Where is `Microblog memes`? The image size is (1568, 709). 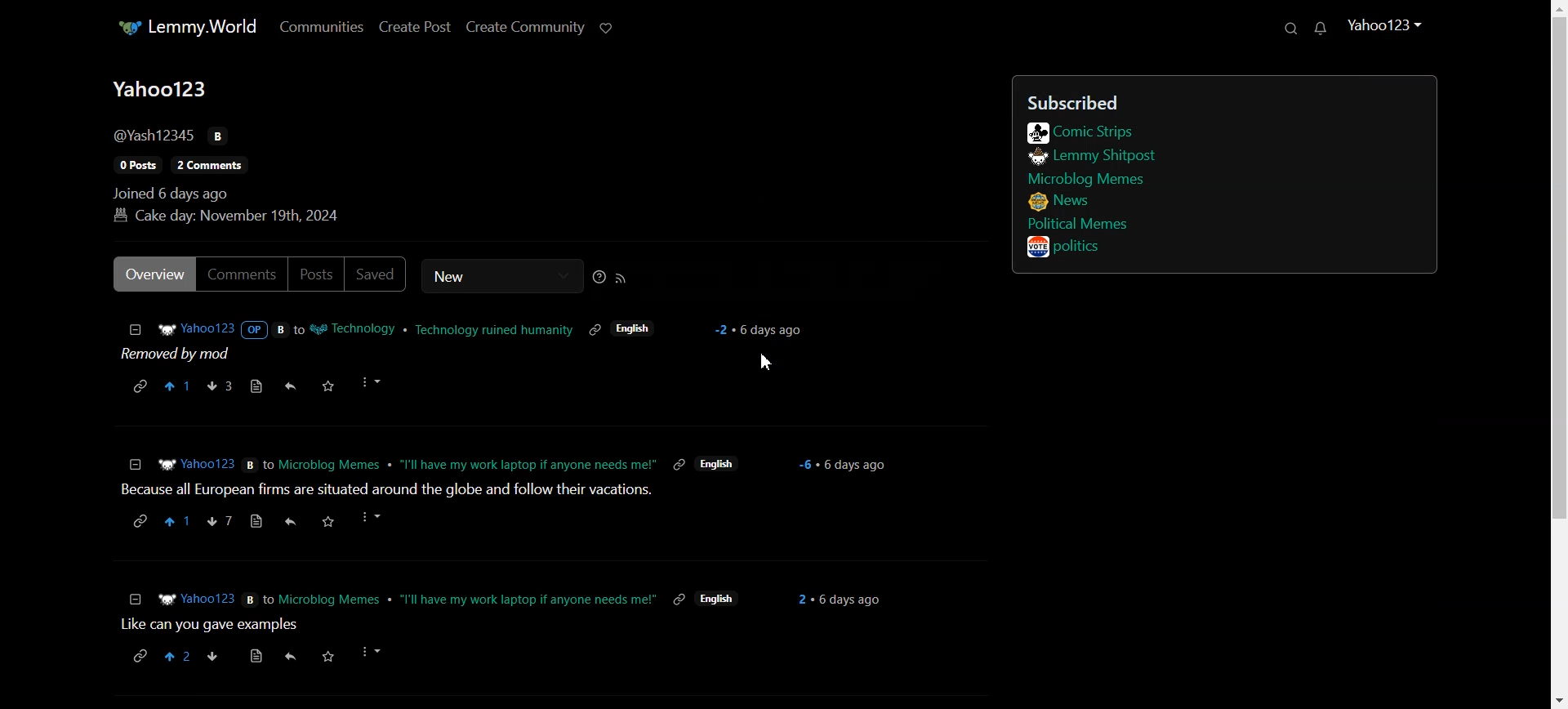
Microblog memes is located at coordinates (333, 597).